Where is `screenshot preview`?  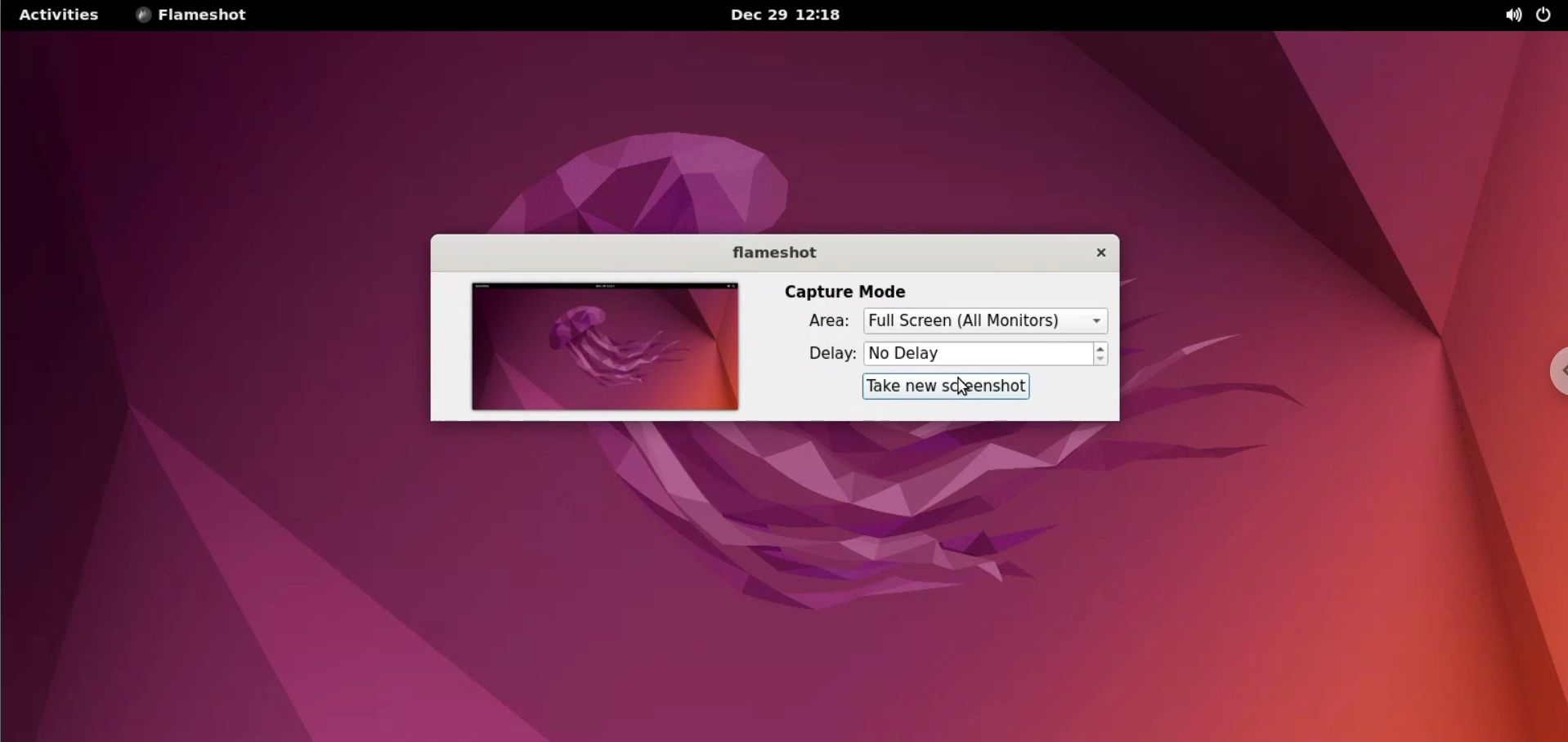 screenshot preview is located at coordinates (605, 347).